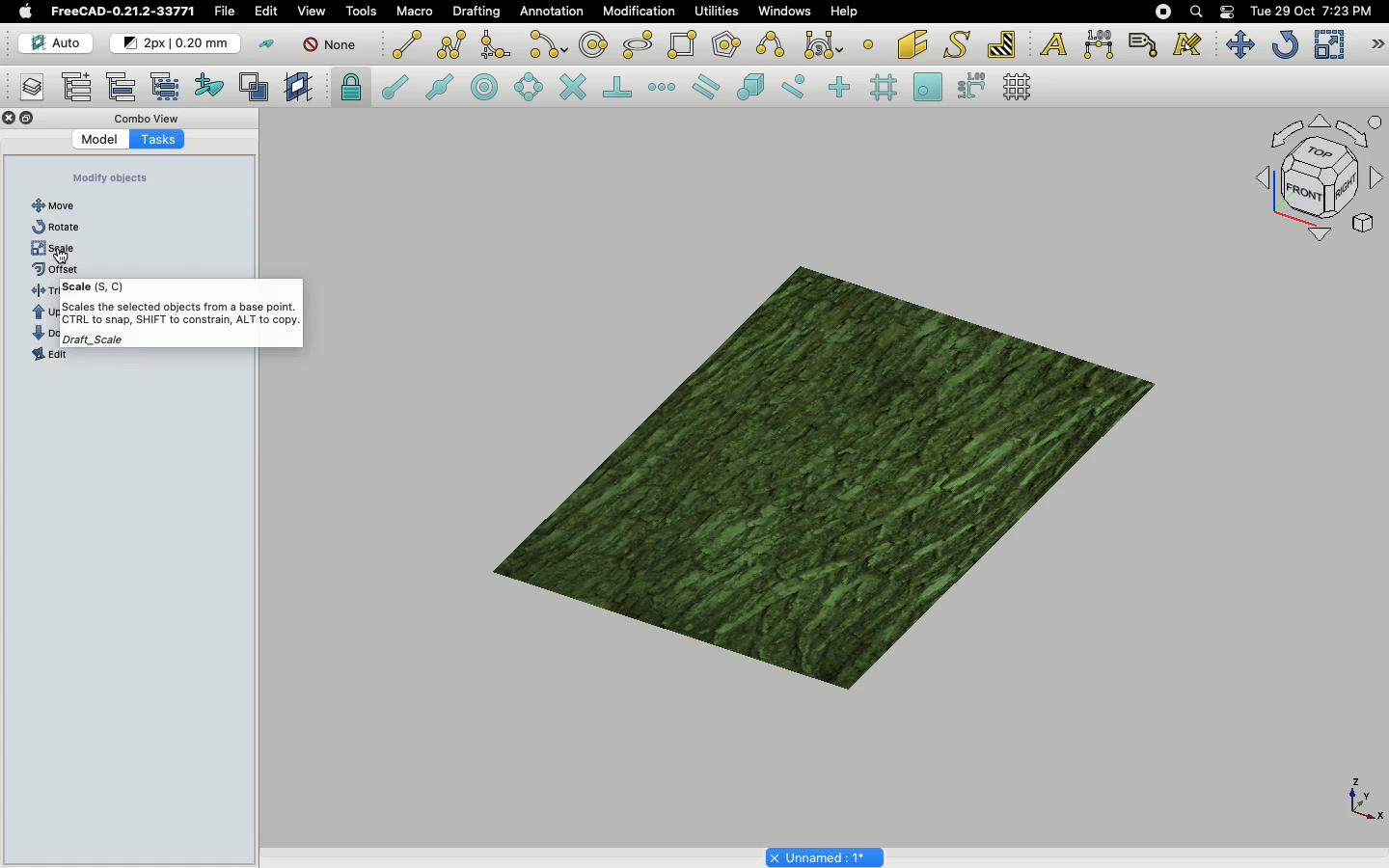  I want to click on Recording, so click(1162, 11).